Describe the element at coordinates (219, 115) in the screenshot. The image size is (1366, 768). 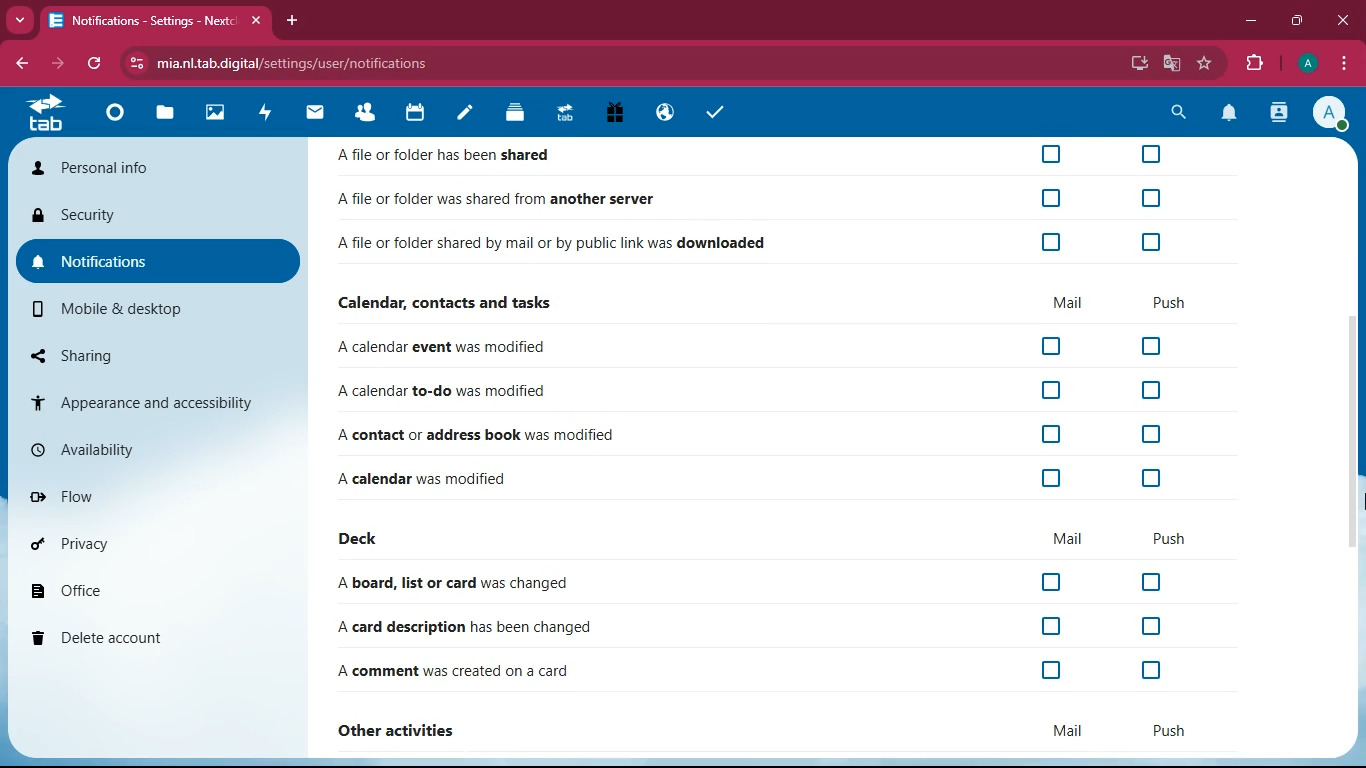
I see `images` at that location.